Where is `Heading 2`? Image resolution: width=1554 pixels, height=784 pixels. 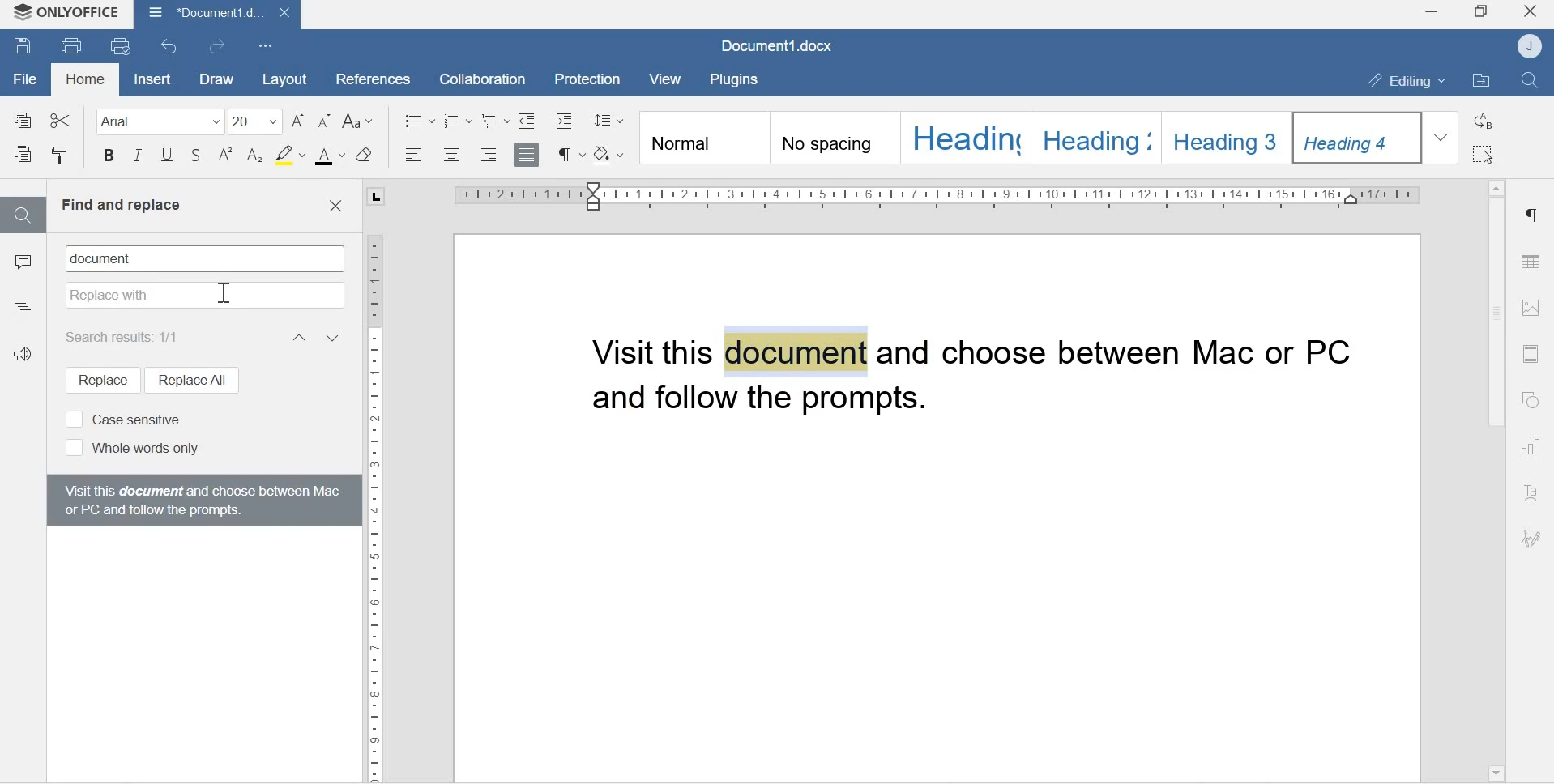
Heading 2 is located at coordinates (1098, 136).